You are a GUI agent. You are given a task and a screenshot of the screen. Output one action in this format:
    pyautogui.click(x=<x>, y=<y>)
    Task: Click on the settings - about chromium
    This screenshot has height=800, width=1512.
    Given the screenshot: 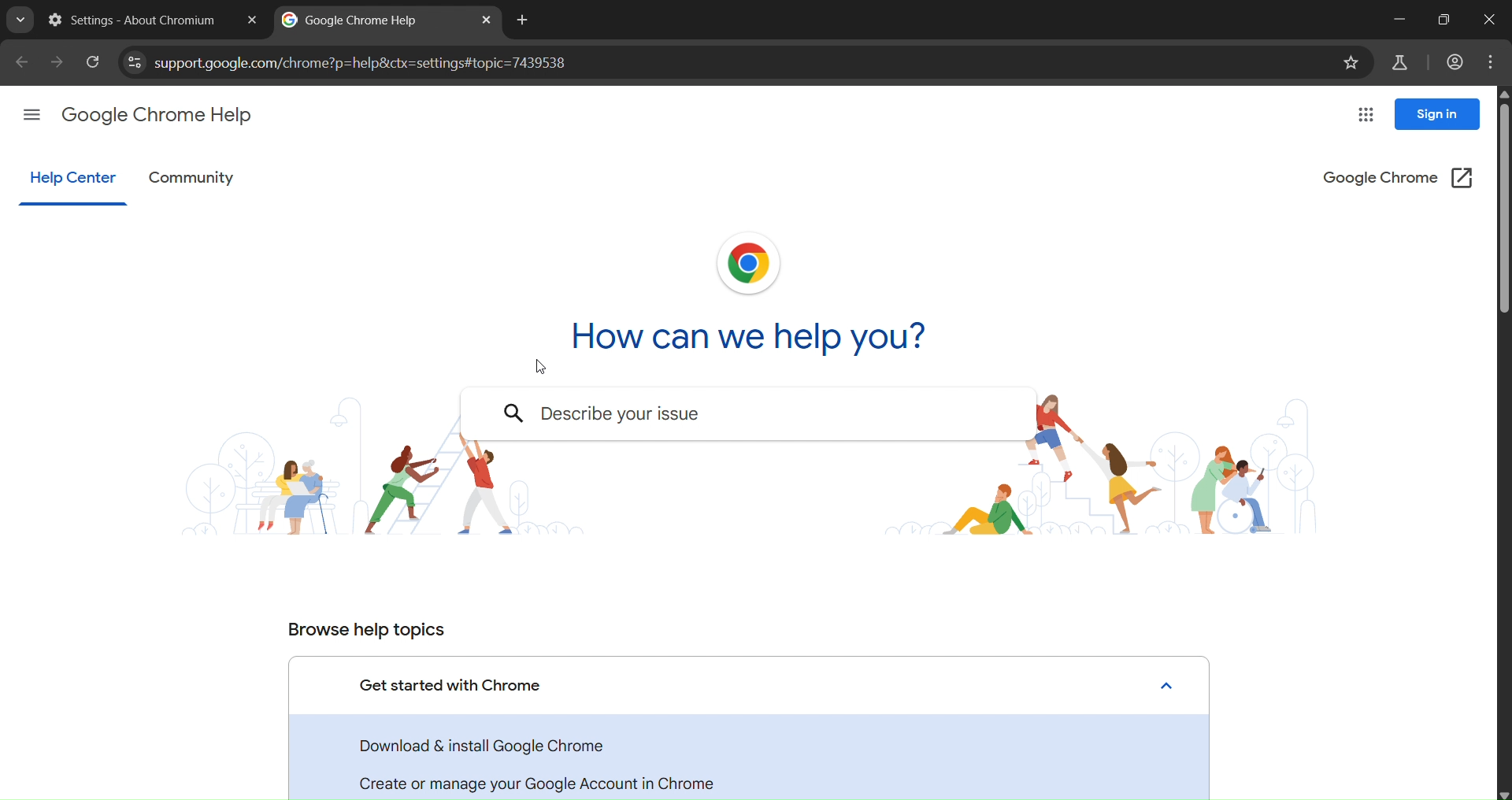 What is the action you would take?
    pyautogui.click(x=131, y=17)
    